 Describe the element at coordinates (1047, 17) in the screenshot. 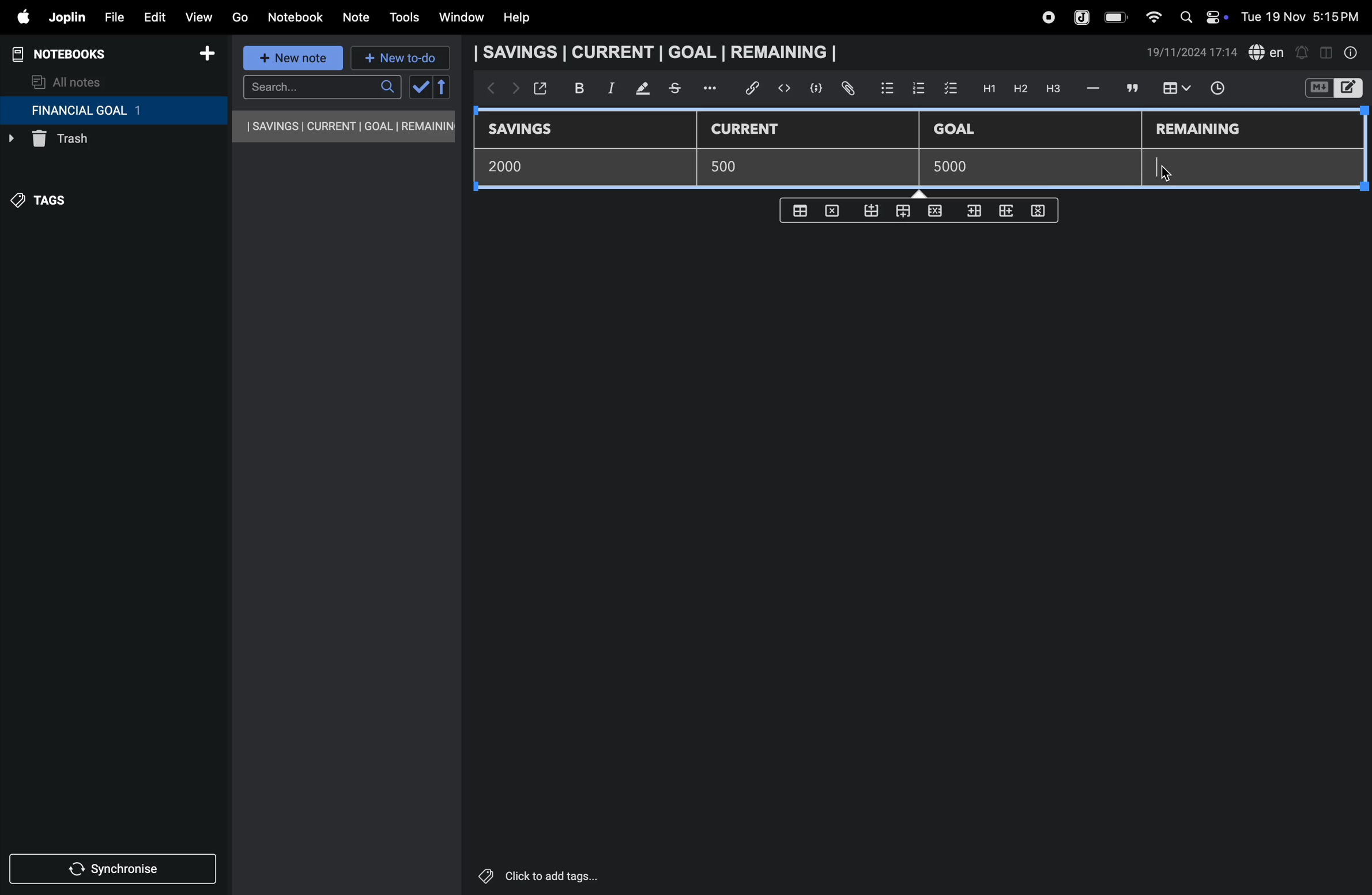

I see `record` at that location.